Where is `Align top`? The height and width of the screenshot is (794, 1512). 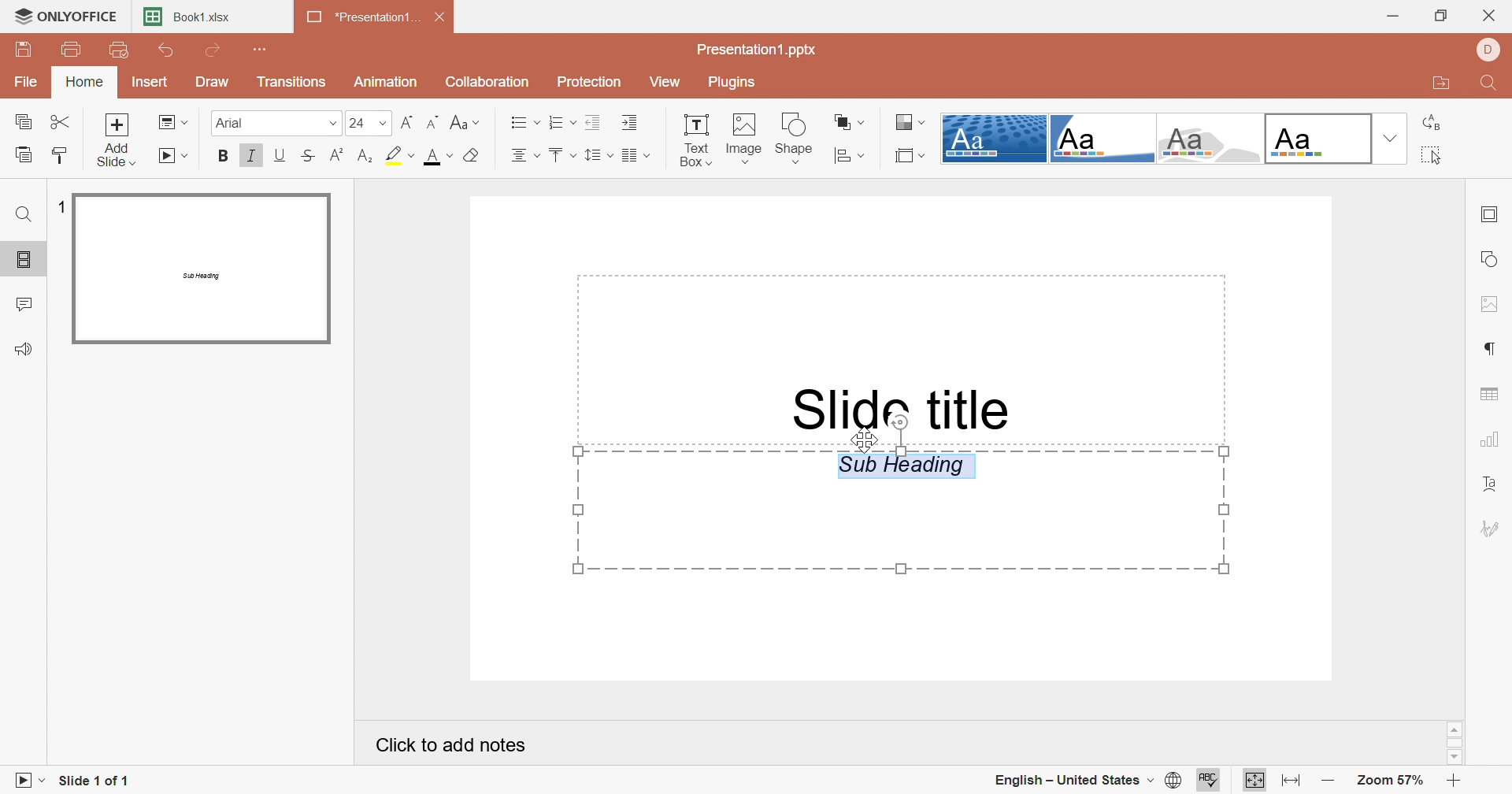 Align top is located at coordinates (561, 153).